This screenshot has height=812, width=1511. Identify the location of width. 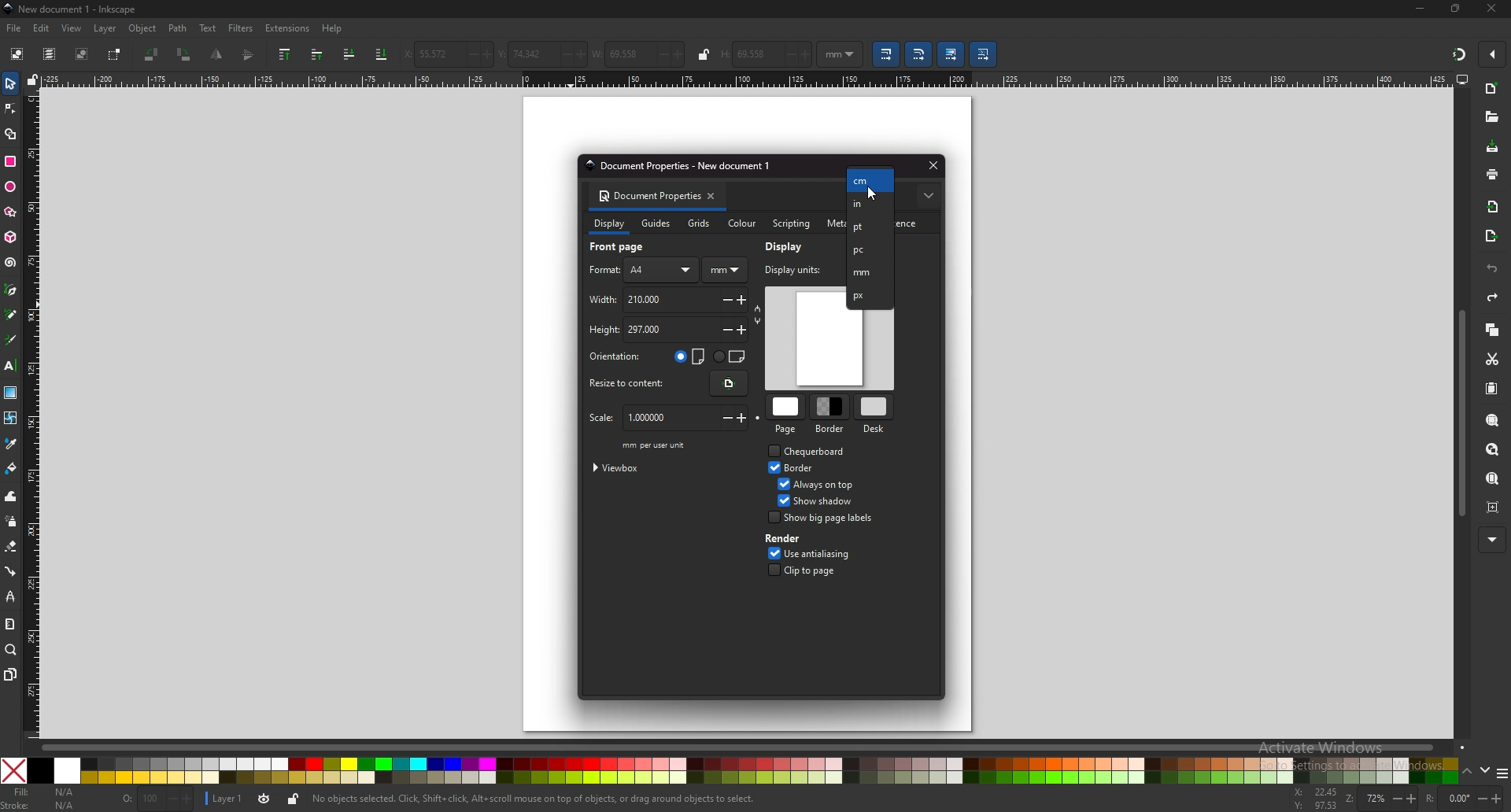
(638, 299).